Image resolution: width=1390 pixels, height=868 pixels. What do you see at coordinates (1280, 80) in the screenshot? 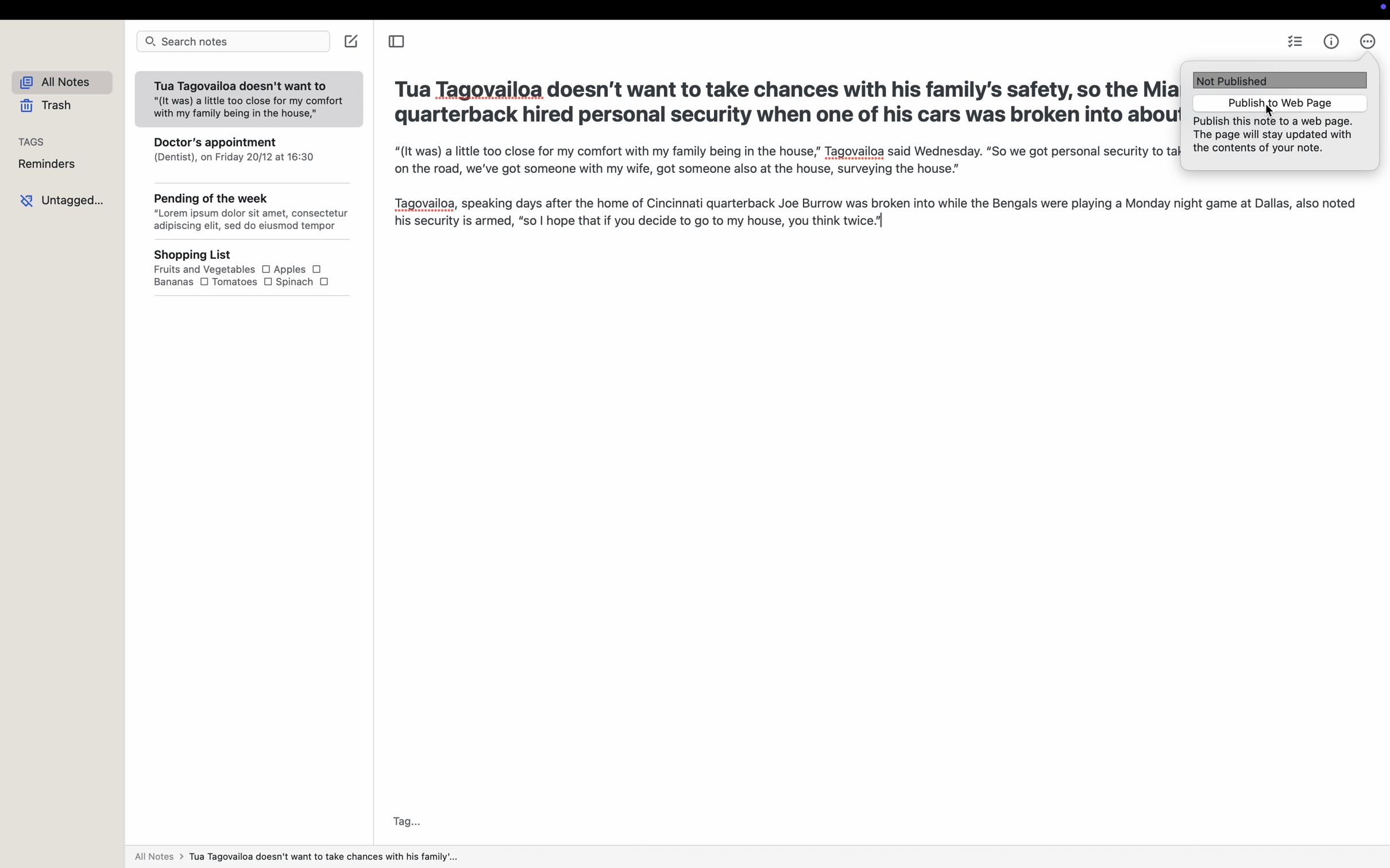
I see `not published` at bounding box center [1280, 80].